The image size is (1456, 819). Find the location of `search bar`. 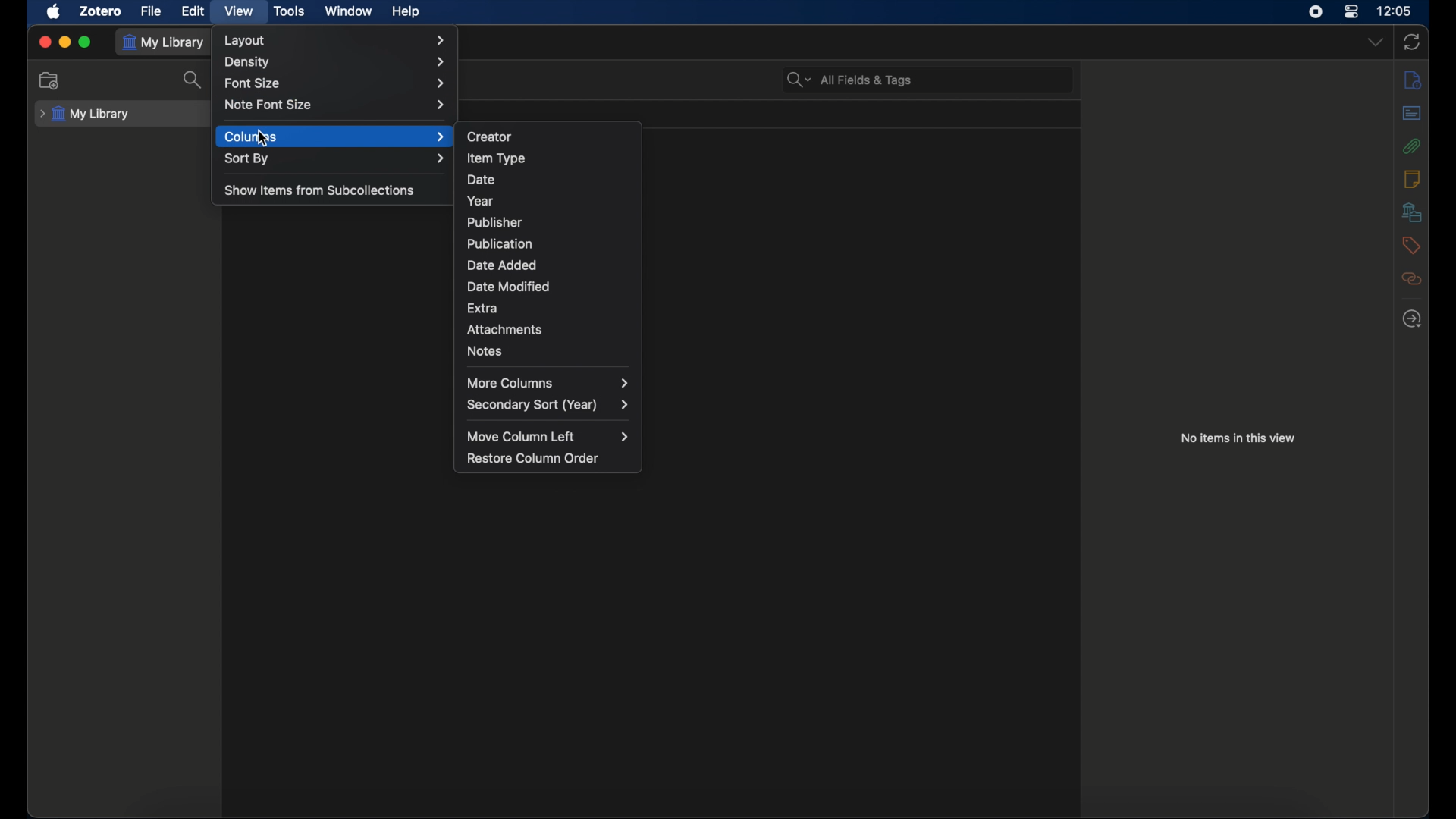

search bar is located at coordinates (850, 80).